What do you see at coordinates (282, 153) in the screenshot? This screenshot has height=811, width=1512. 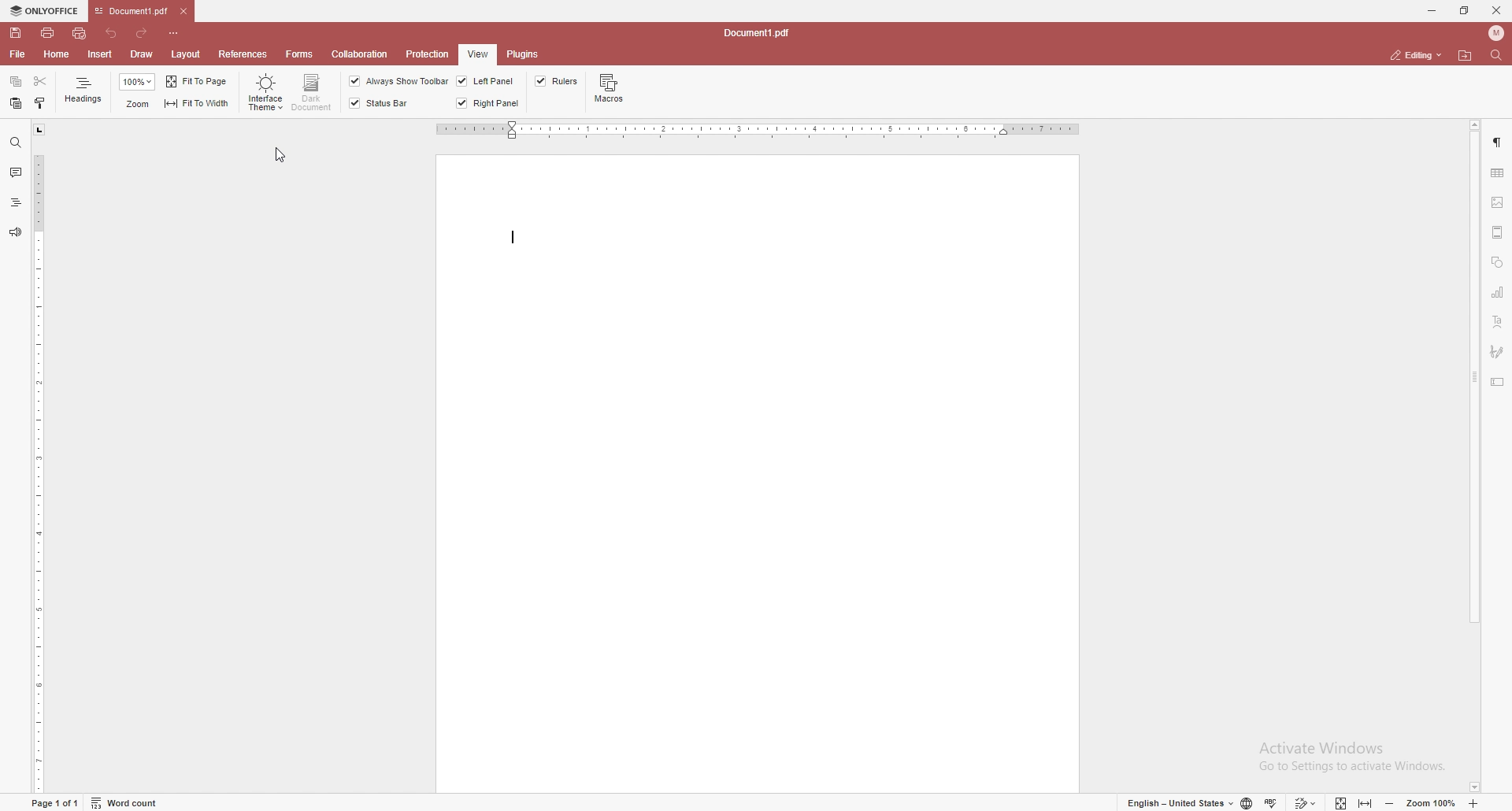 I see `cursor` at bounding box center [282, 153].